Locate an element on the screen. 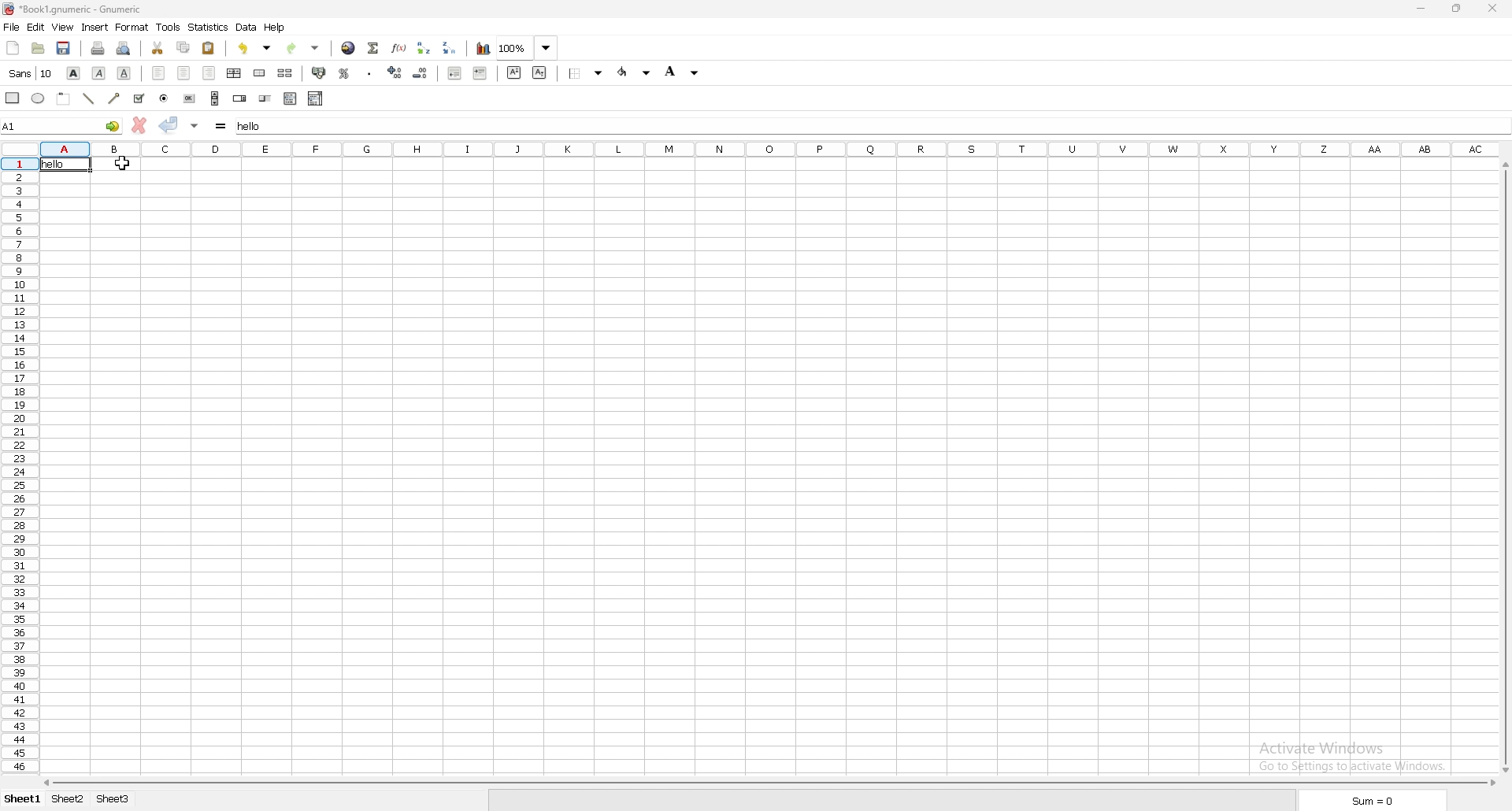  chart is located at coordinates (482, 49).